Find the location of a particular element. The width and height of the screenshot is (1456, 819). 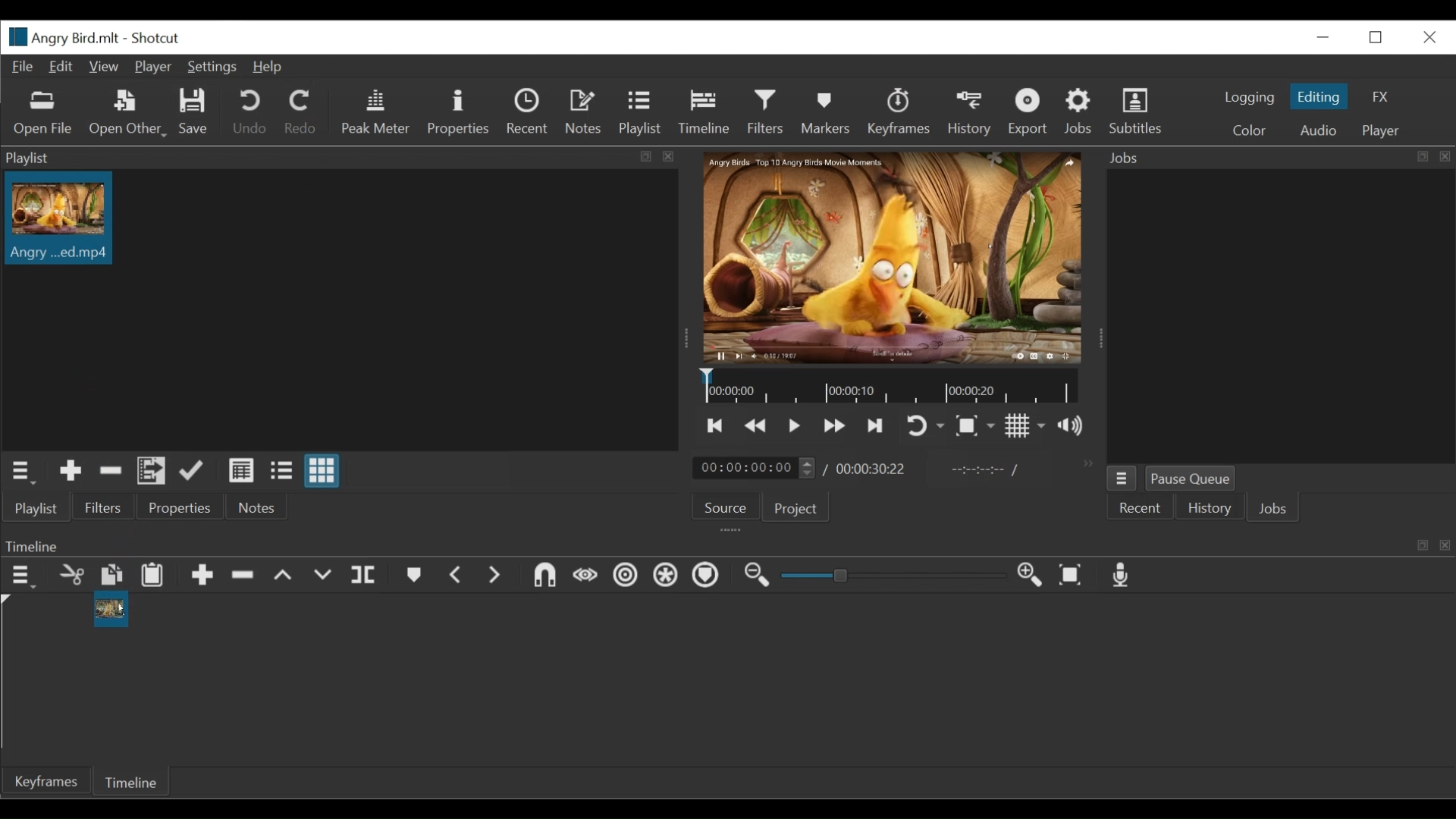

Timeline is located at coordinates (134, 780).